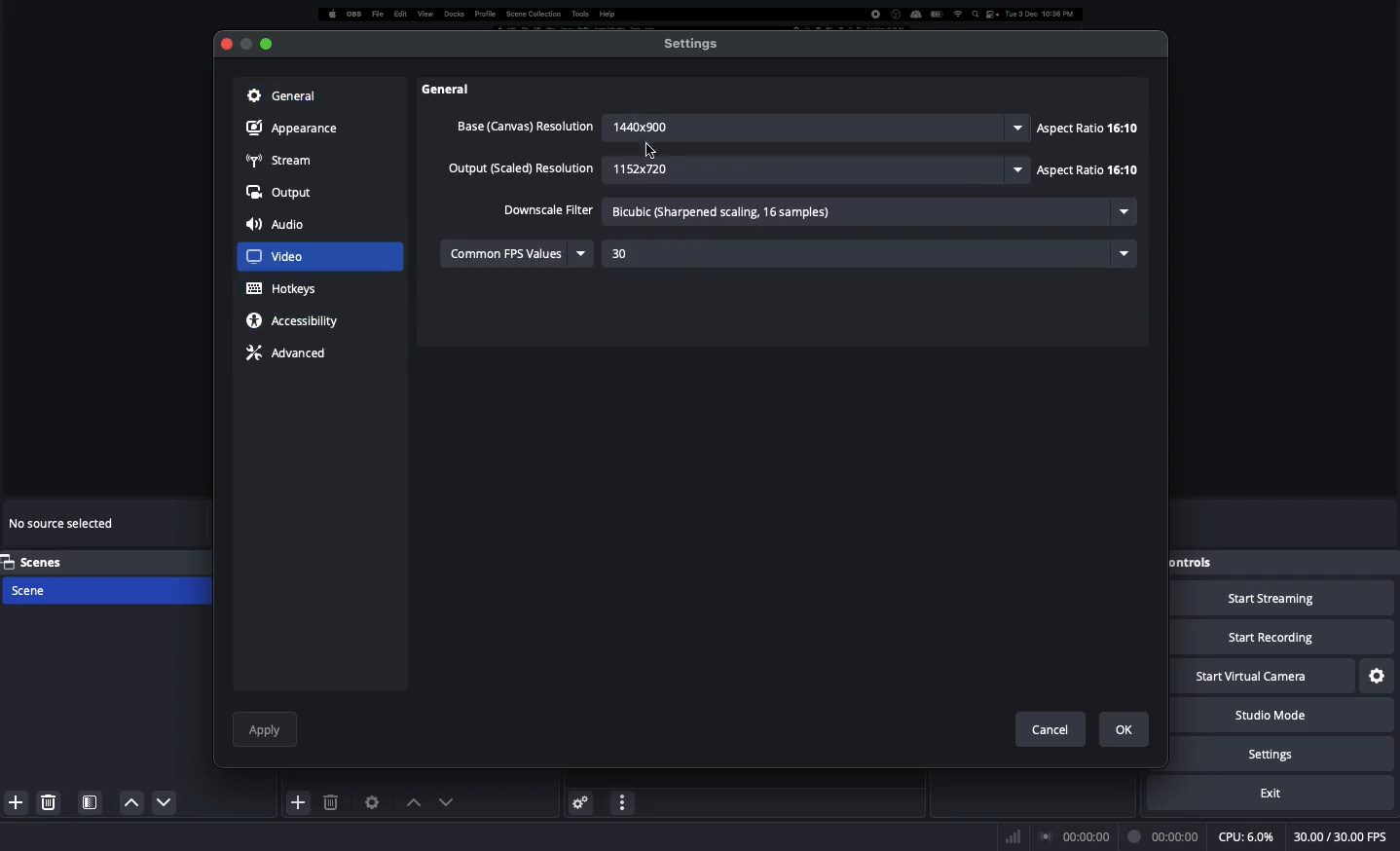 Image resolution: width=1400 pixels, height=851 pixels. What do you see at coordinates (410, 802) in the screenshot?
I see `Move up` at bounding box center [410, 802].